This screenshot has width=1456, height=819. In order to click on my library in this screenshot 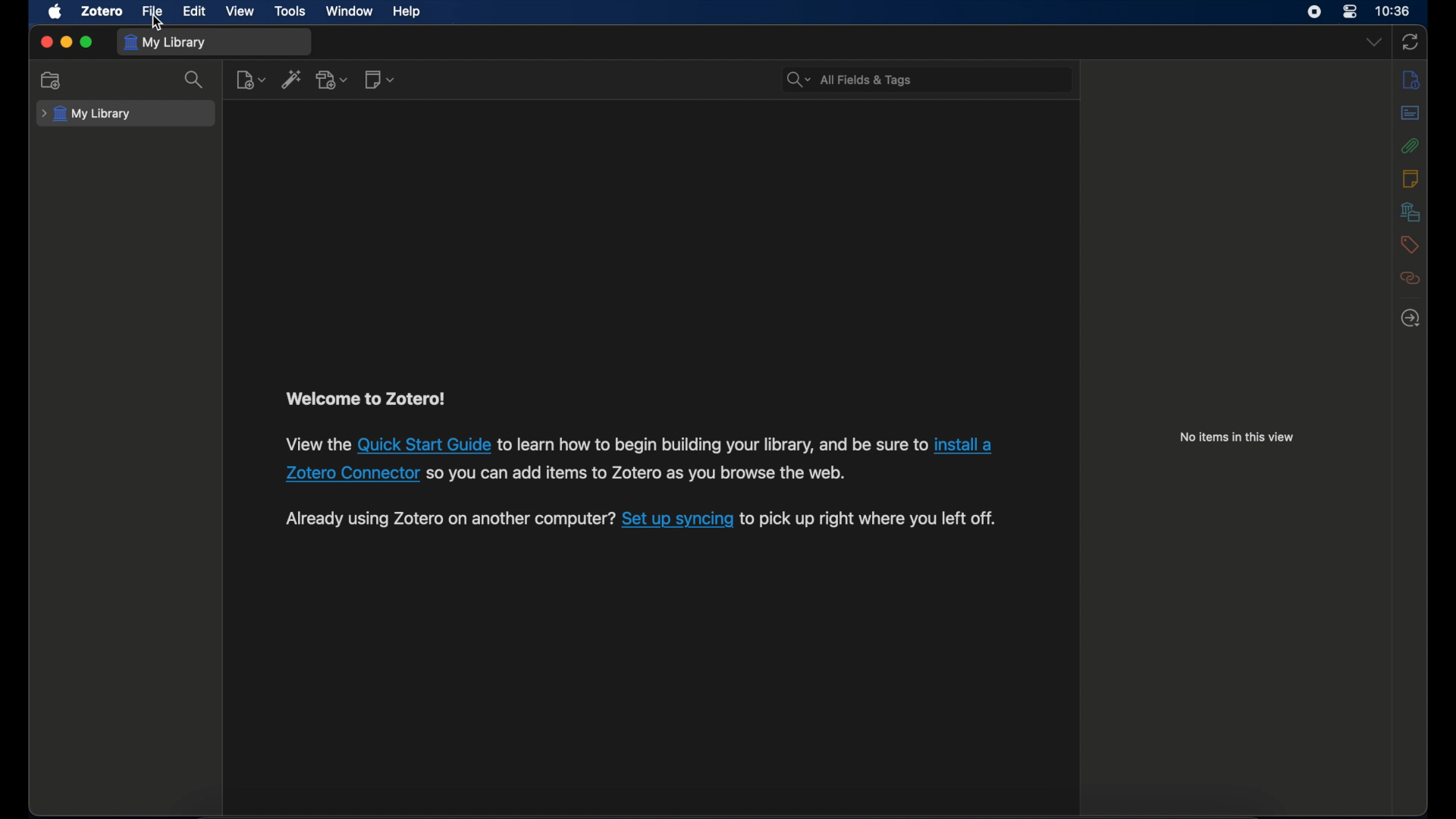, I will do `click(86, 115)`.